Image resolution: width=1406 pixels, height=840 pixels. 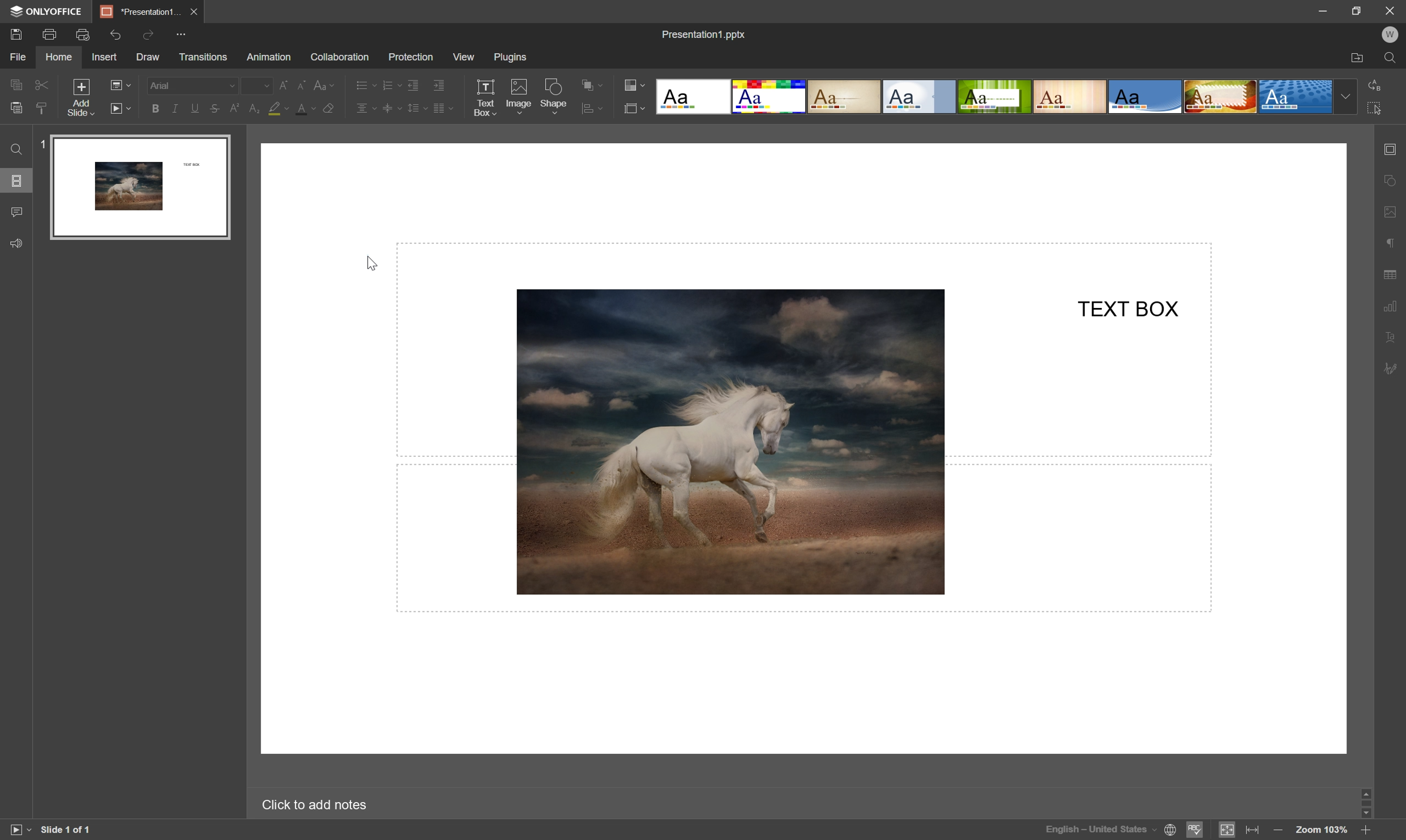 I want to click on decrease indent, so click(x=413, y=86).